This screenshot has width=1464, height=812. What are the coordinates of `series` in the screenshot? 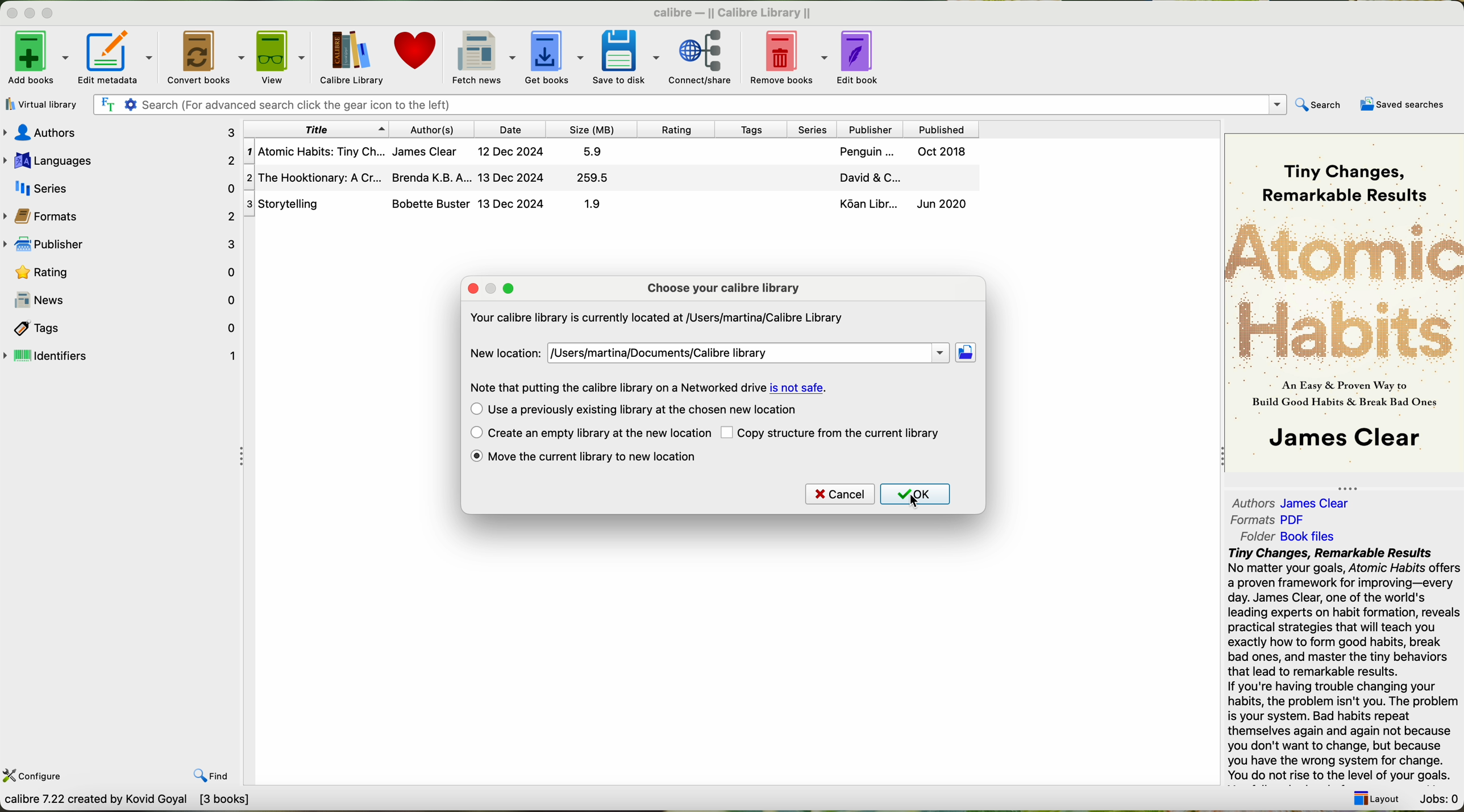 It's located at (121, 188).